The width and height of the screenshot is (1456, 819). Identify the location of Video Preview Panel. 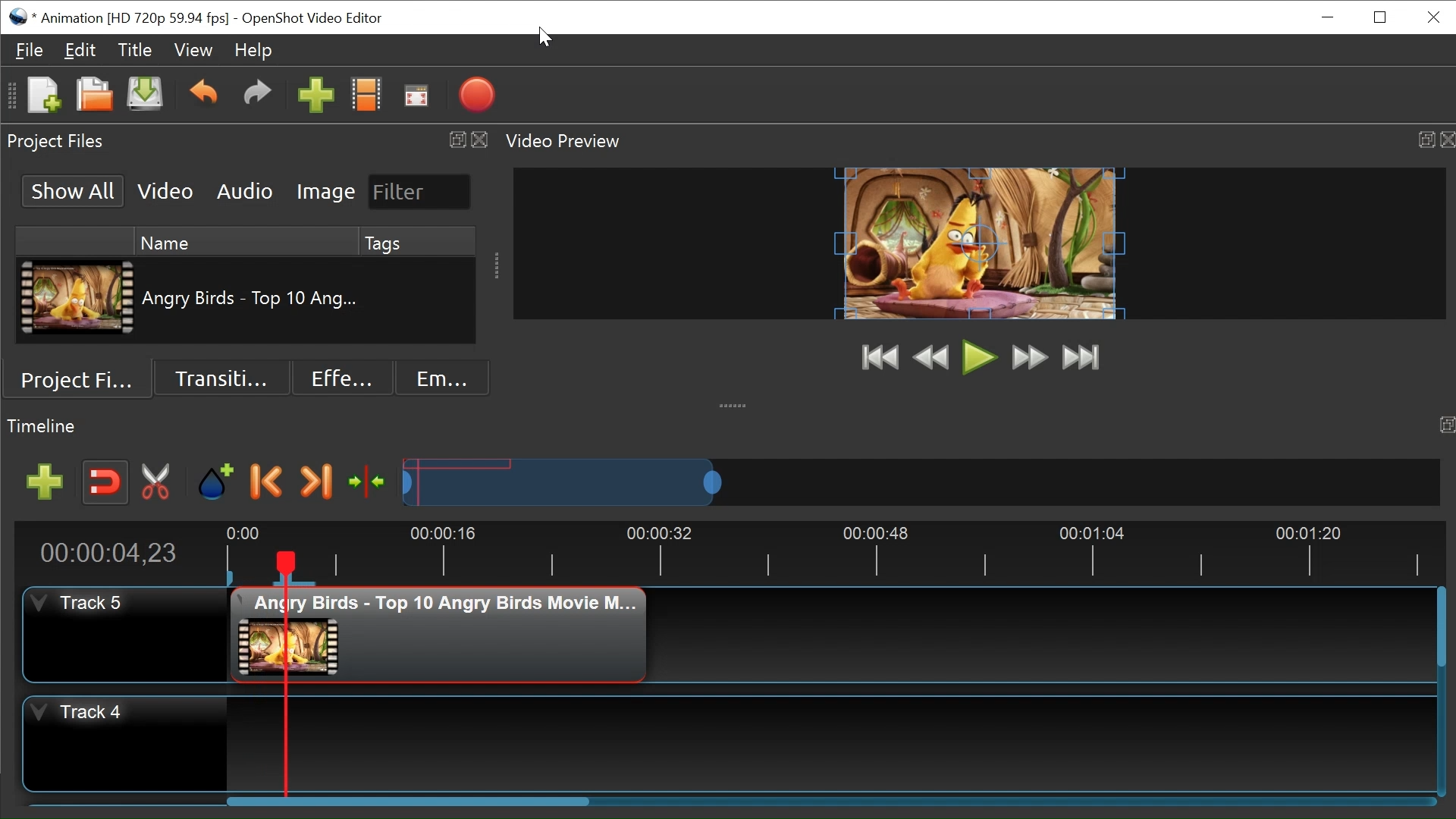
(977, 141).